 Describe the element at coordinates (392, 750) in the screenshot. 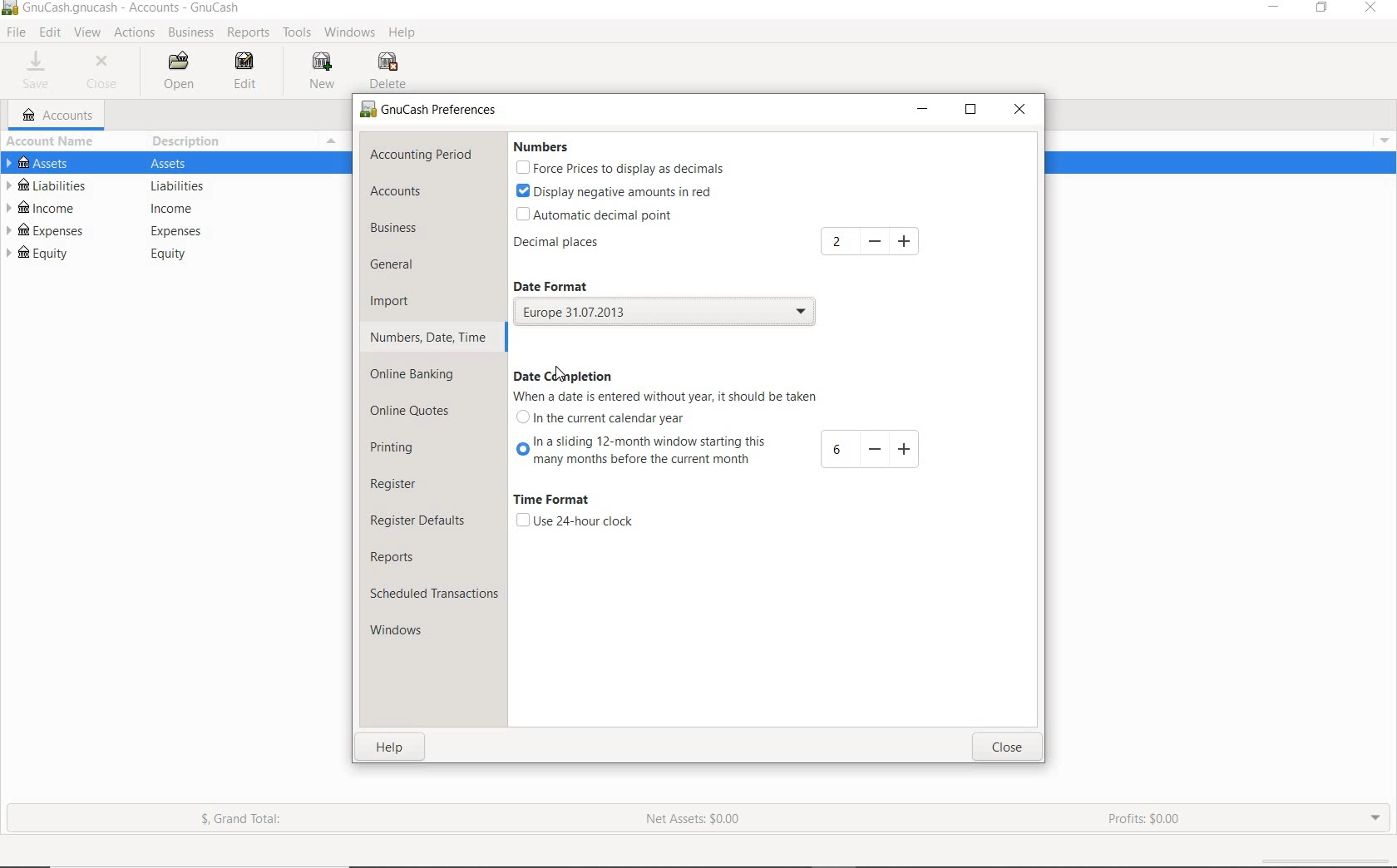

I see `help` at that location.